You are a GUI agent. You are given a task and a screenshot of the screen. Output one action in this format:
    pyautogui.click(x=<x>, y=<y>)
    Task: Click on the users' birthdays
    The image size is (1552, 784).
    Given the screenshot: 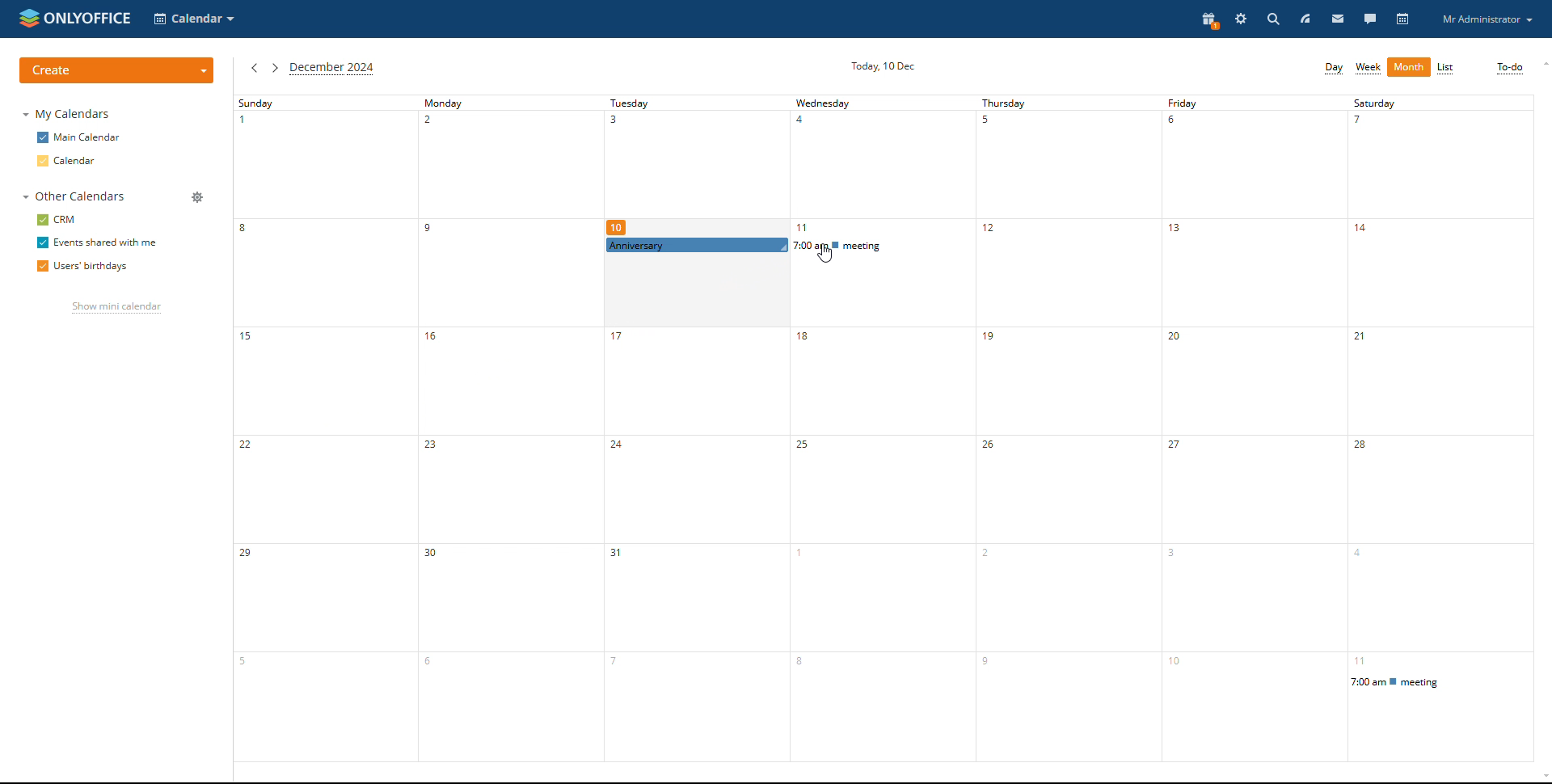 What is the action you would take?
    pyautogui.click(x=84, y=267)
    